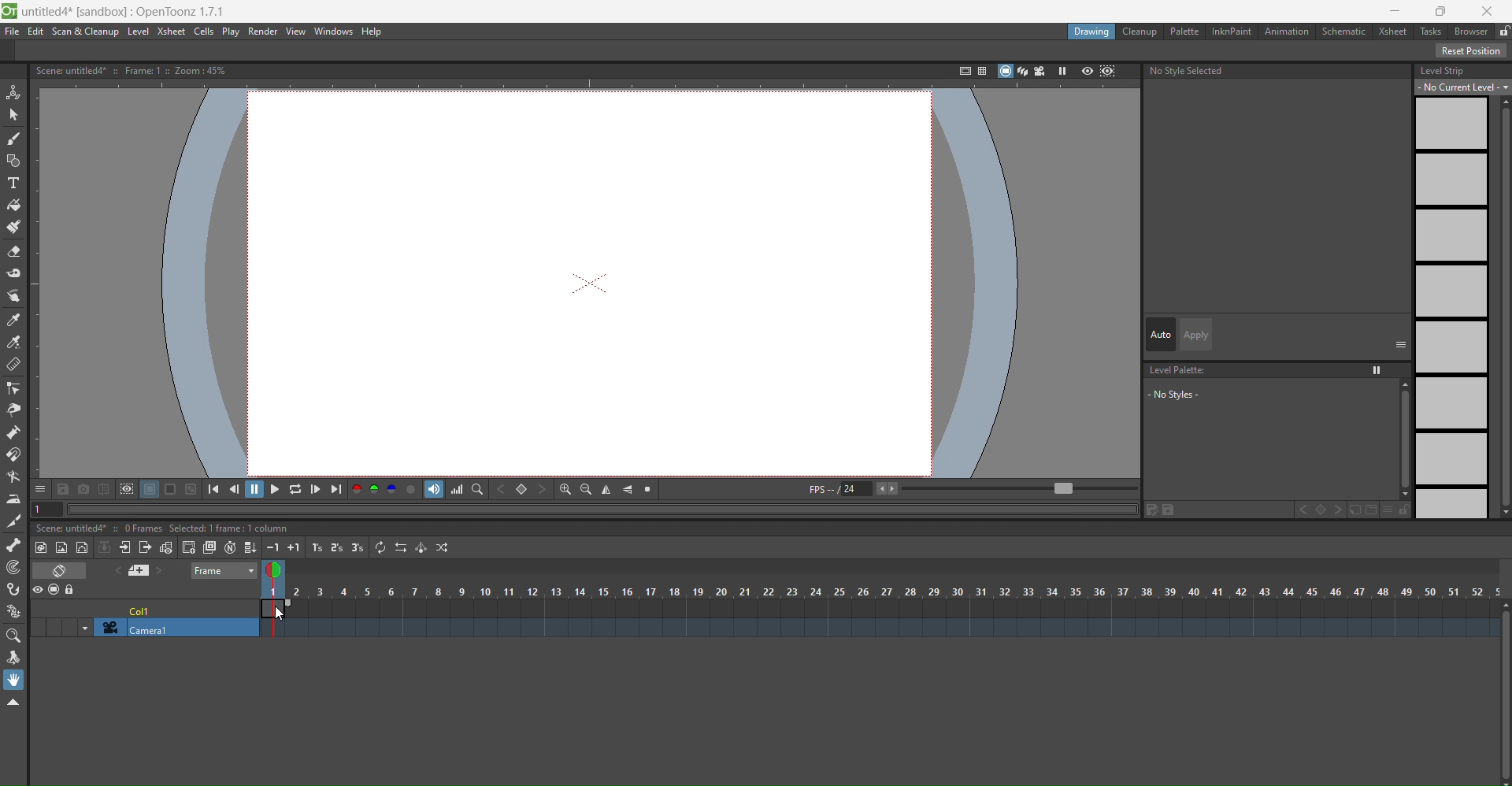  What do you see at coordinates (14, 454) in the screenshot?
I see `magnet tool` at bounding box center [14, 454].